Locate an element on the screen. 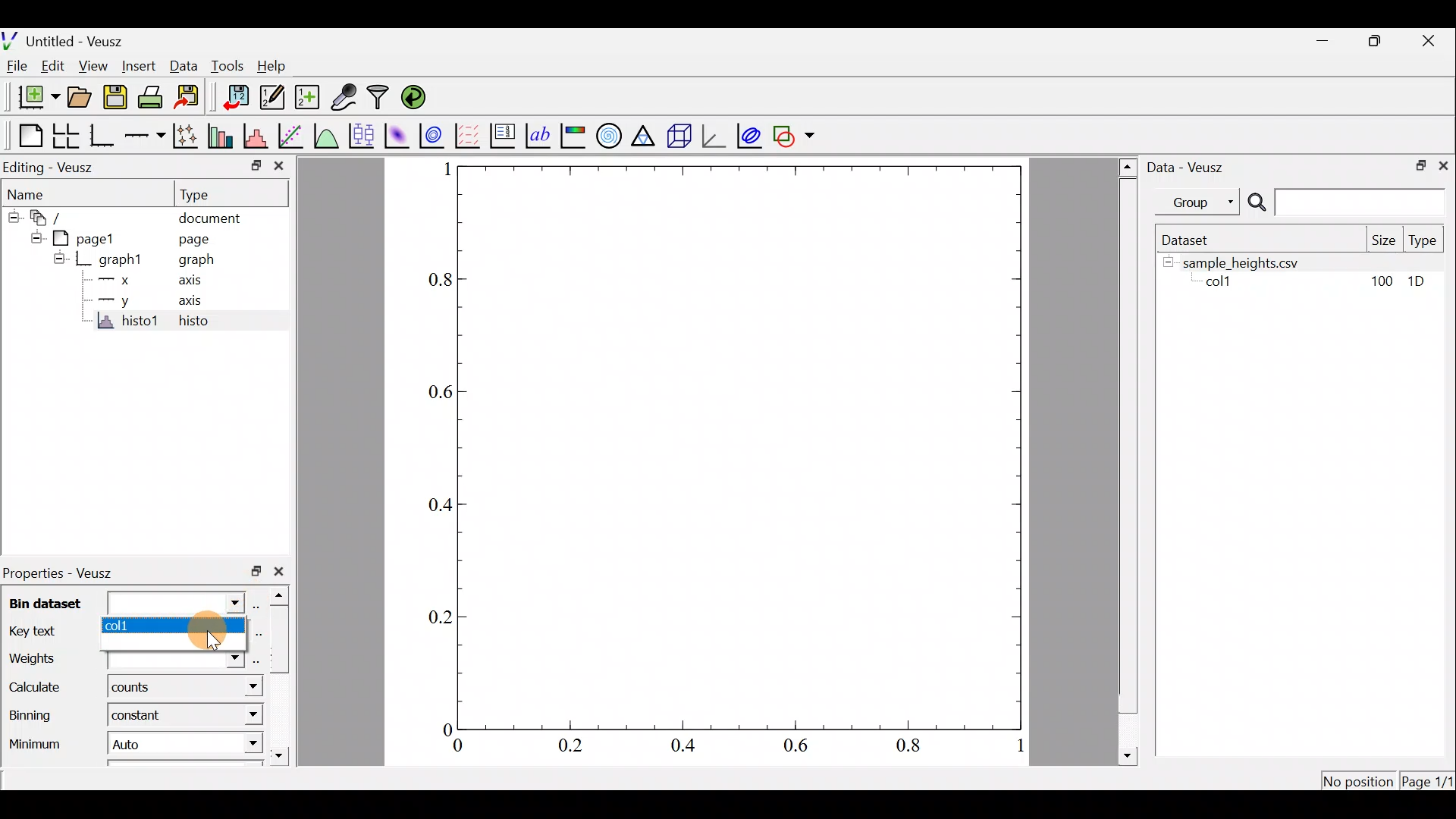  minimum dropdown is located at coordinates (236, 745).